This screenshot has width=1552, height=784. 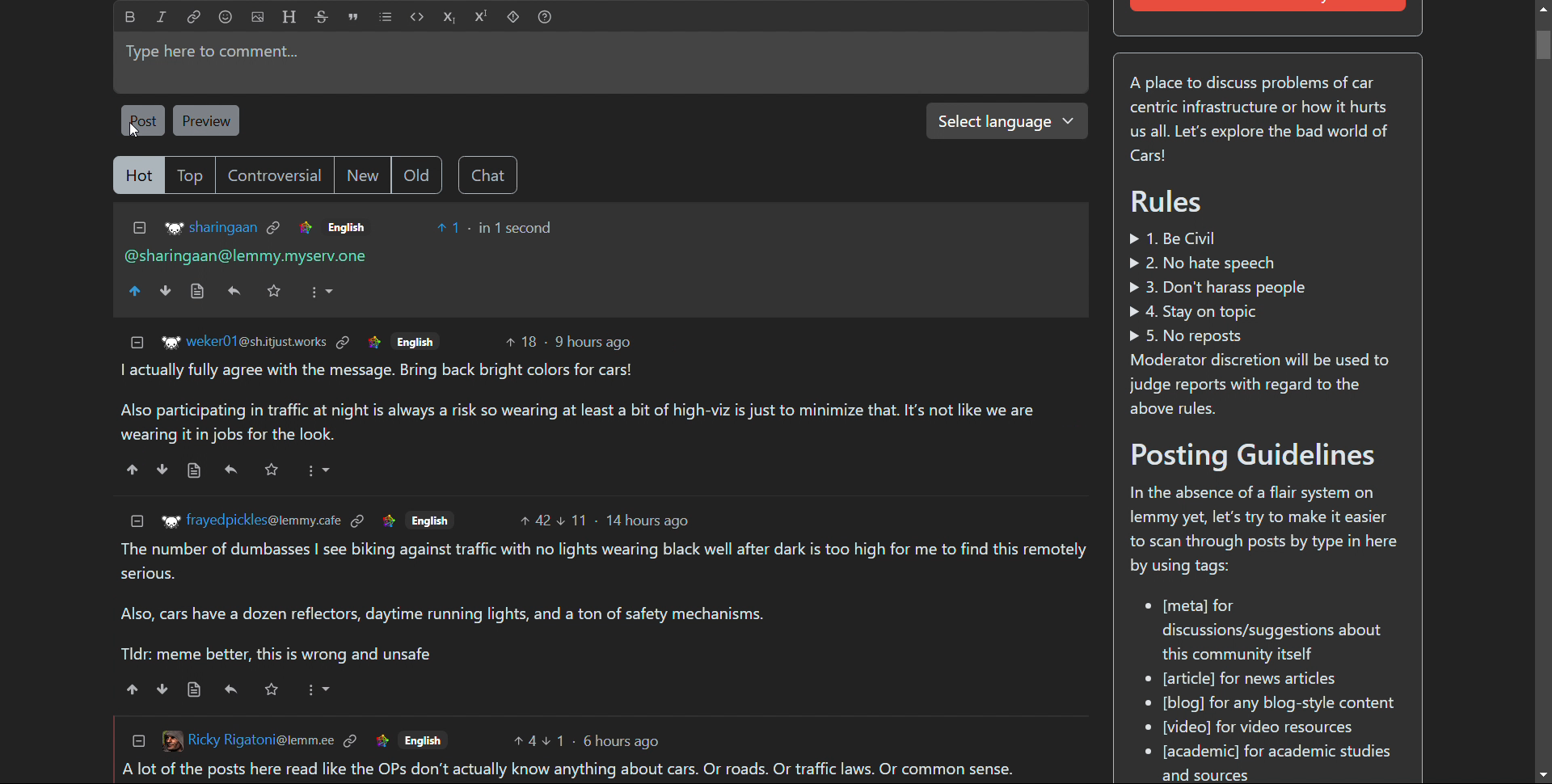 What do you see at coordinates (416, 17) in the screenshot?
I see `code` at bounding box center [416, 17].